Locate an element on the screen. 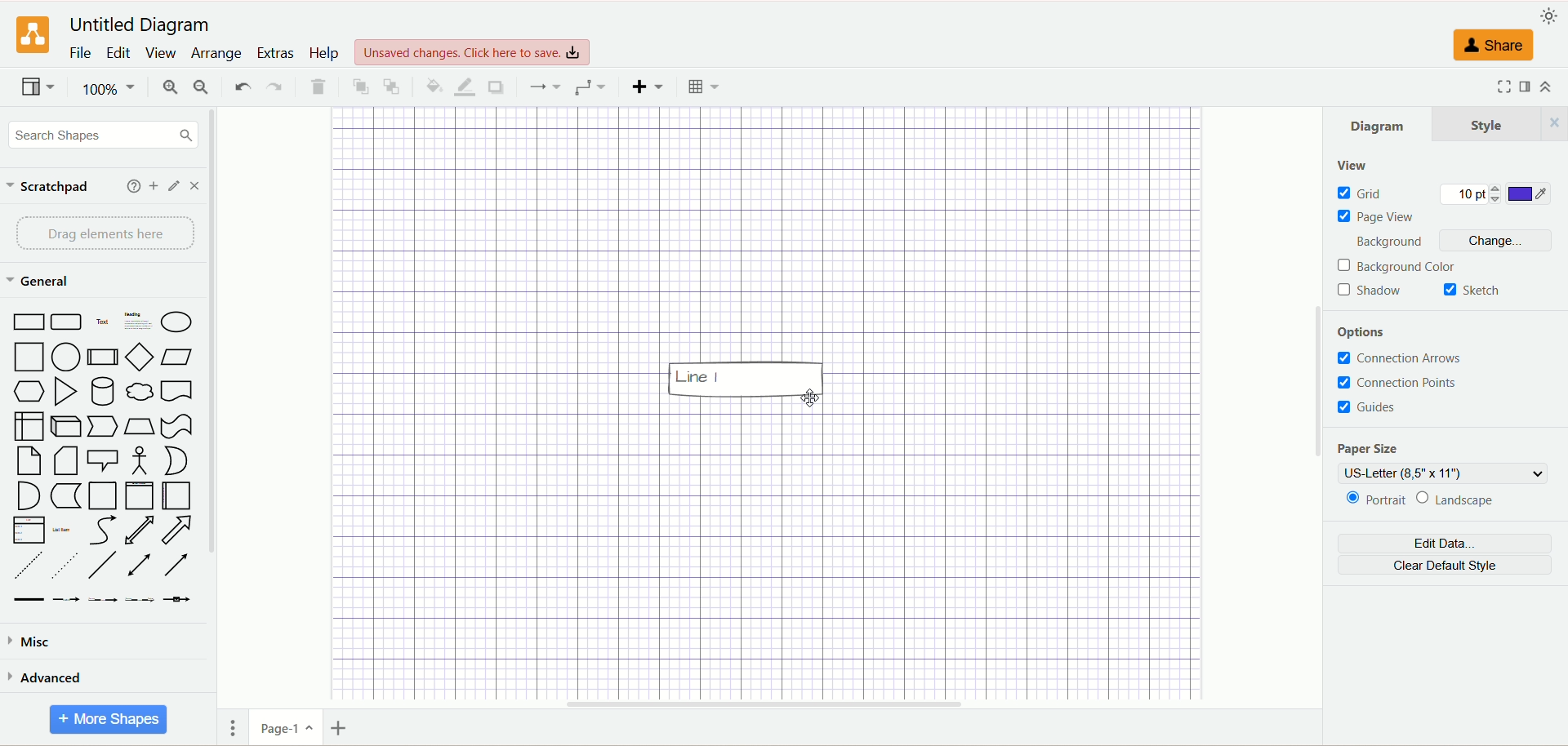 This screenshot has height=746, width=1568. Dashed Line is located at coordinates (28, 565).